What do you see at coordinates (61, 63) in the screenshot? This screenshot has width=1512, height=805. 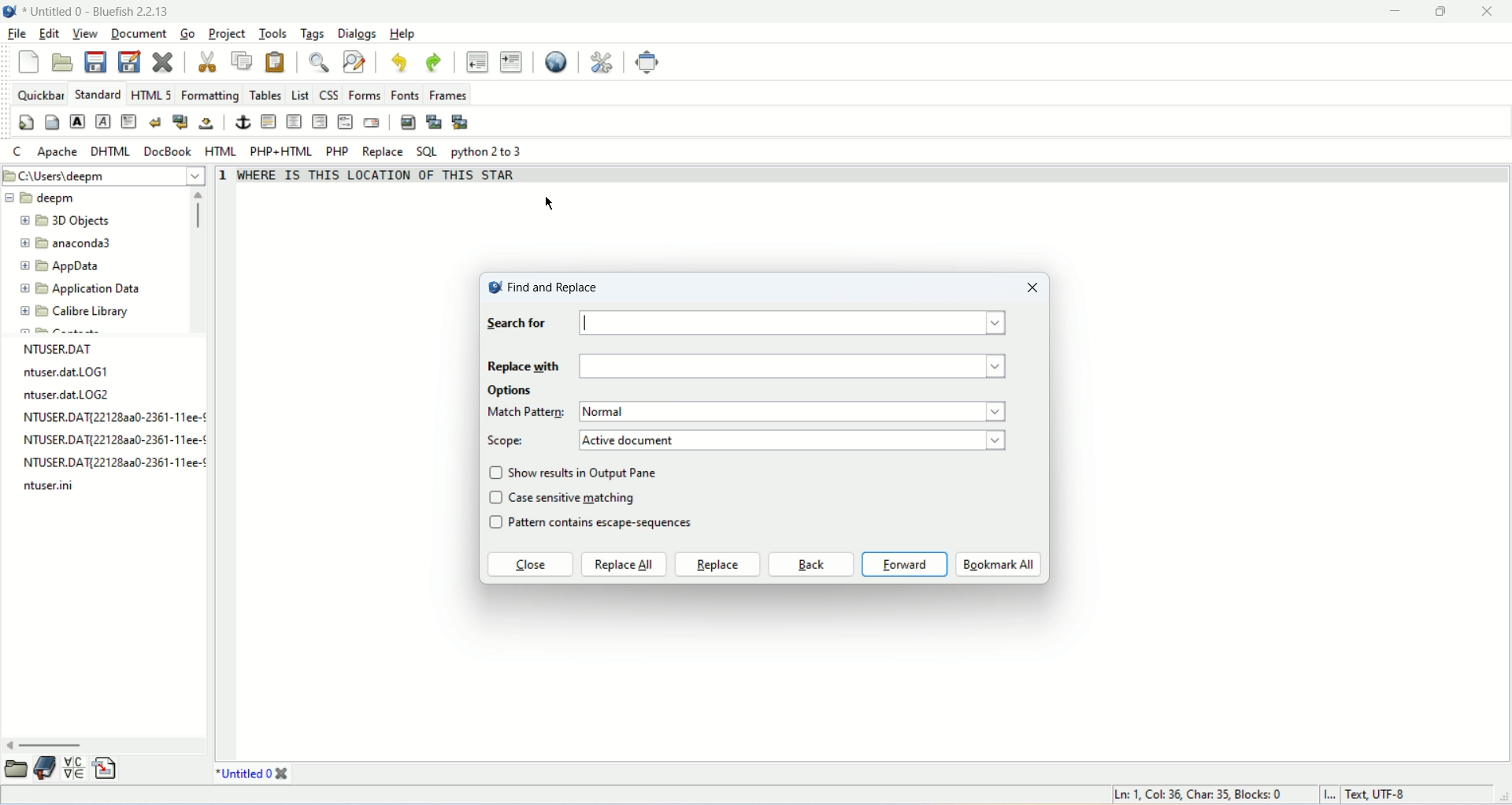 I see `open file` at bounding box center [61, 63].